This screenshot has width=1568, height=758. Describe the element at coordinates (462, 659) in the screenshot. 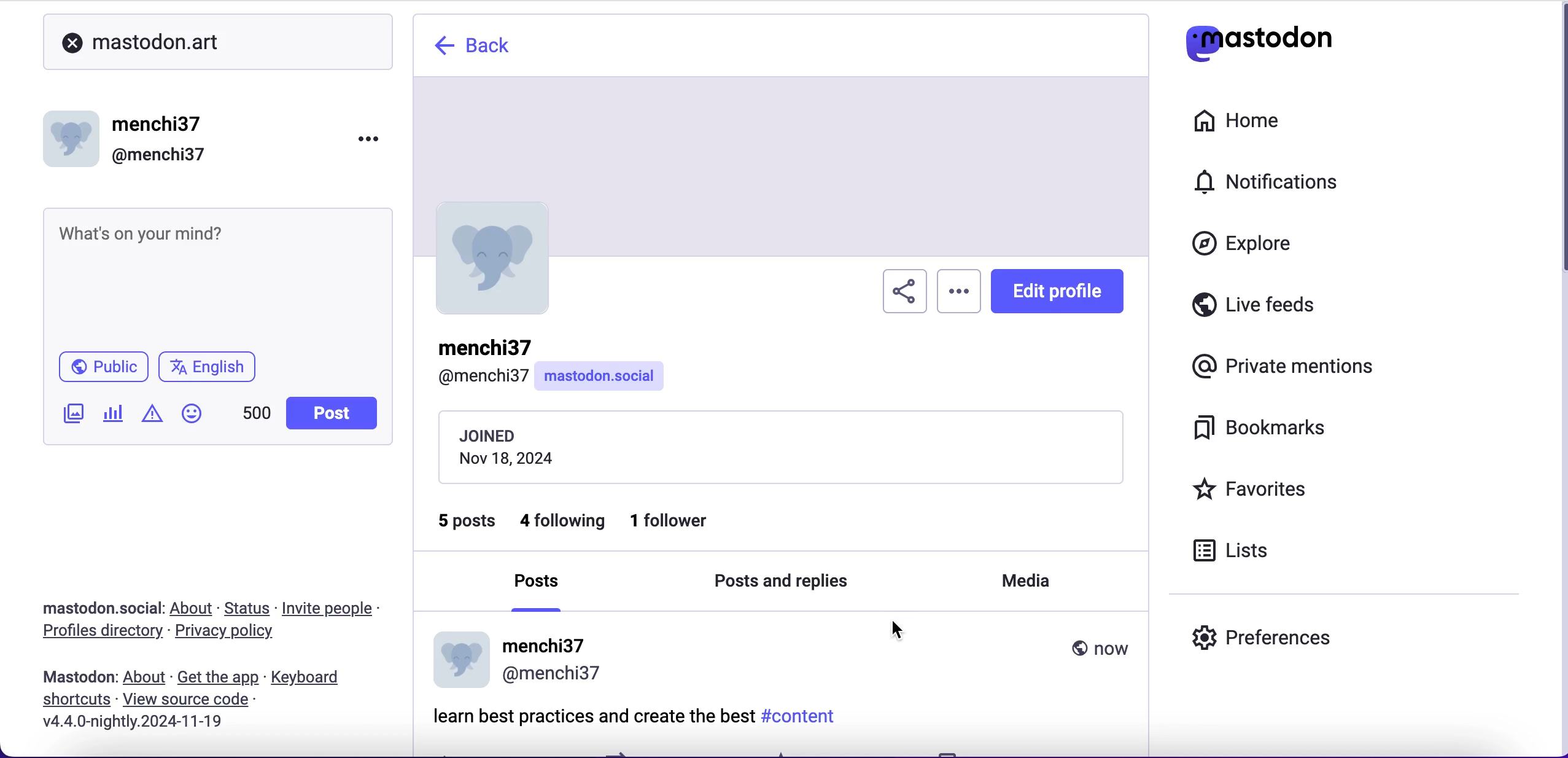

I see `profile picture` at that location.